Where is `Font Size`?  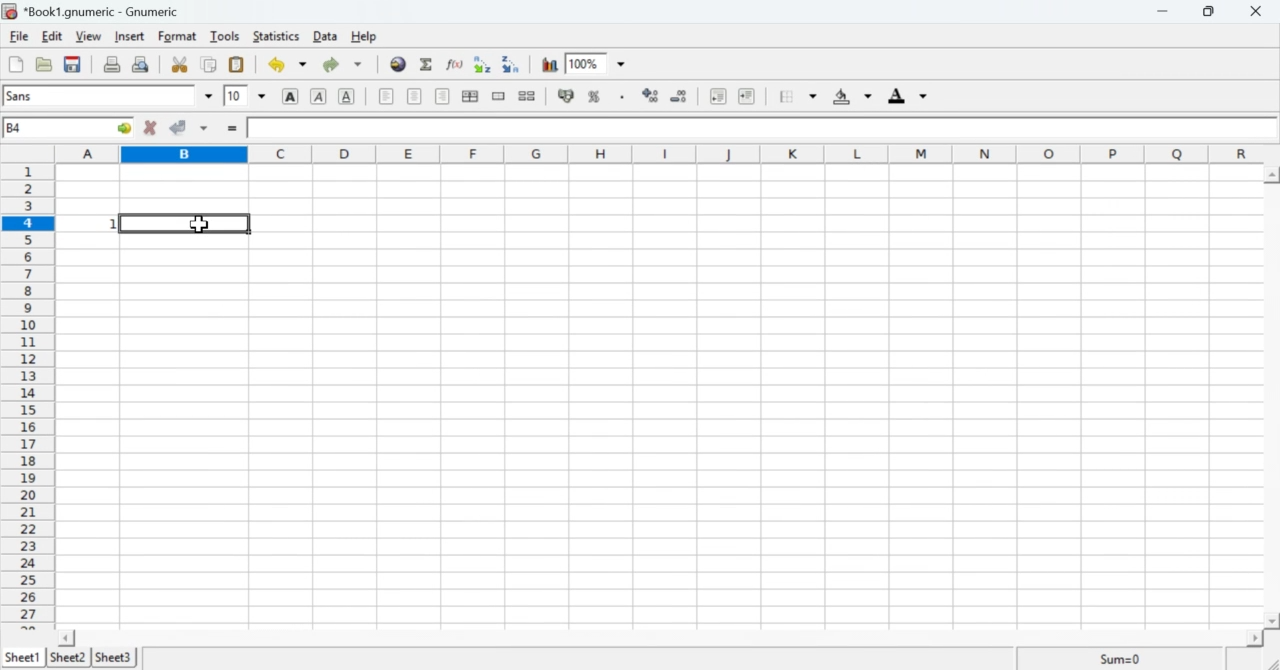 Font Size is located at coordinates (247, 96).